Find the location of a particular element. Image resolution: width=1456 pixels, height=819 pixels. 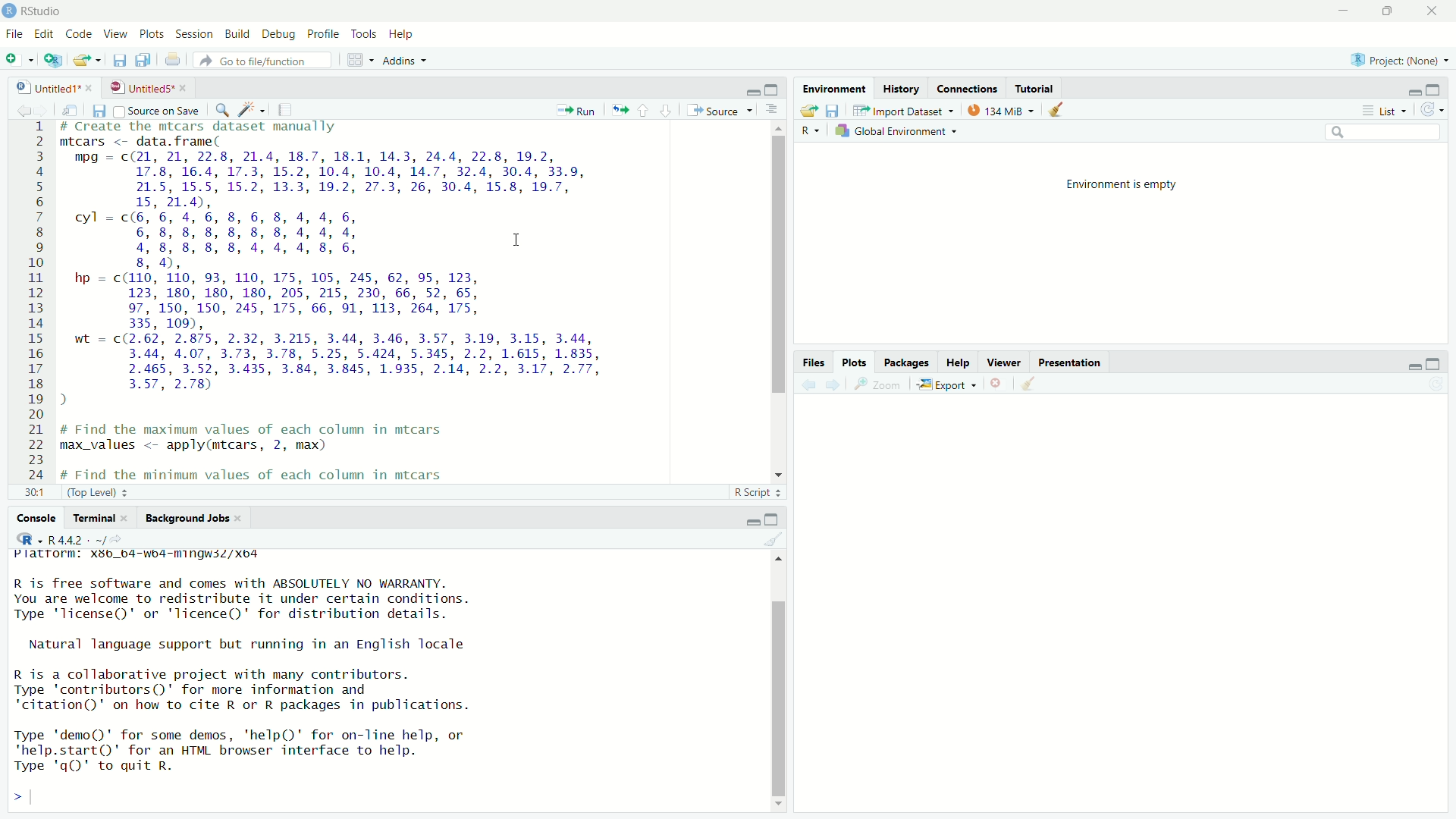

Terminal is located at coordinates (93, 519).